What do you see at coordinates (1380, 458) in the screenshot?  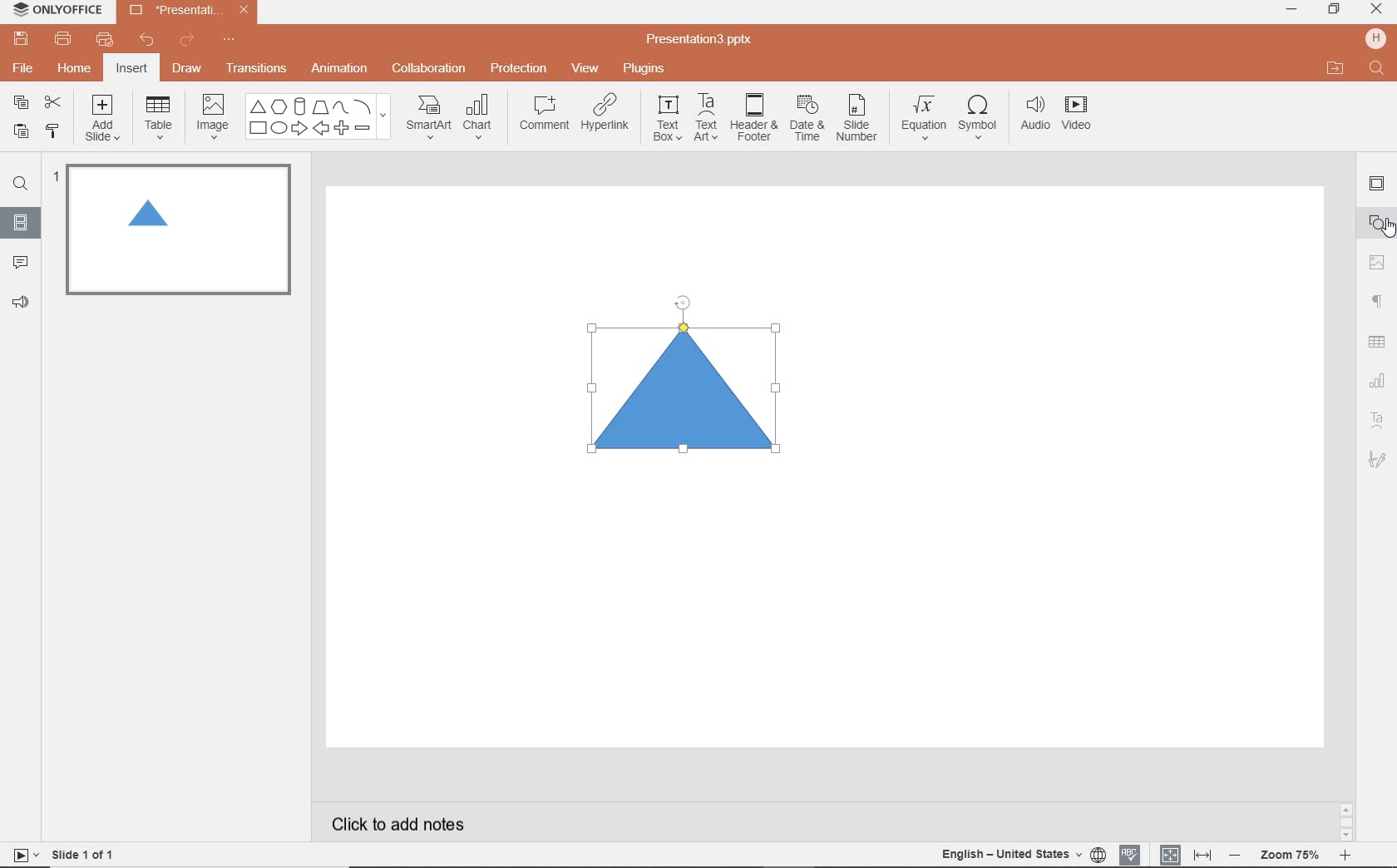 I see `SIGNATURE` at bounding box center [1380, 458].